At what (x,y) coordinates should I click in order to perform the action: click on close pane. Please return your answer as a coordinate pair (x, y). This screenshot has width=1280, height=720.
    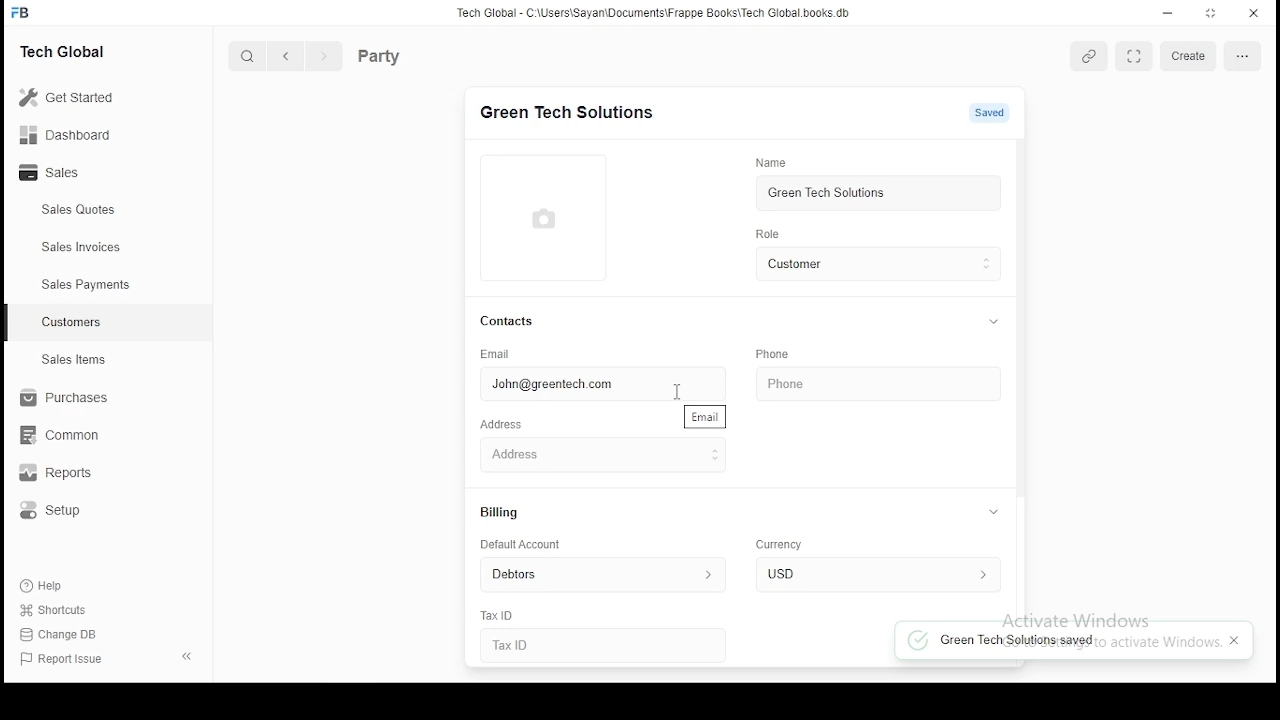
    Looking at the image, I should click on (189, 656).